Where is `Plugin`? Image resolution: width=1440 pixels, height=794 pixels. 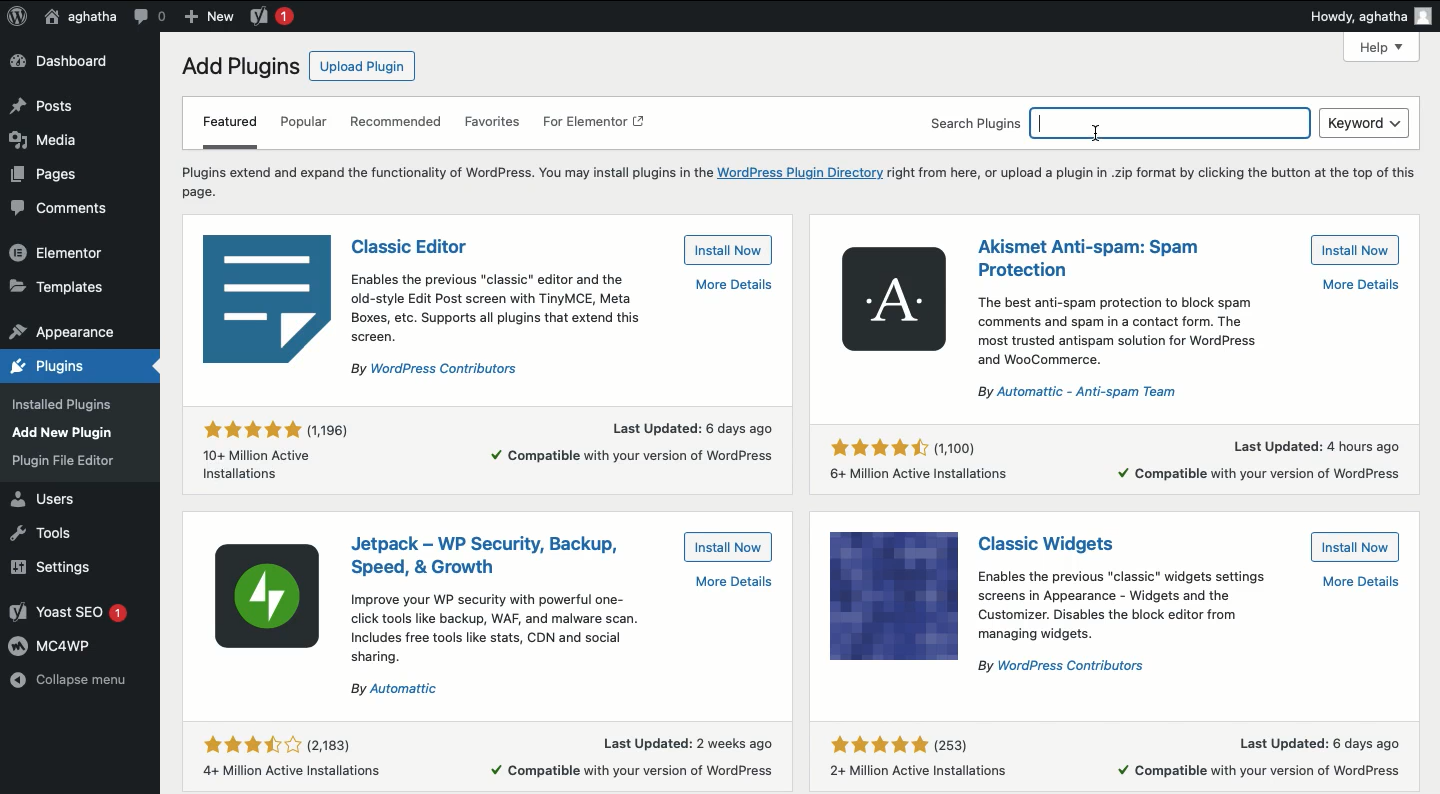 Plugin is located at coordinates (487, 552).